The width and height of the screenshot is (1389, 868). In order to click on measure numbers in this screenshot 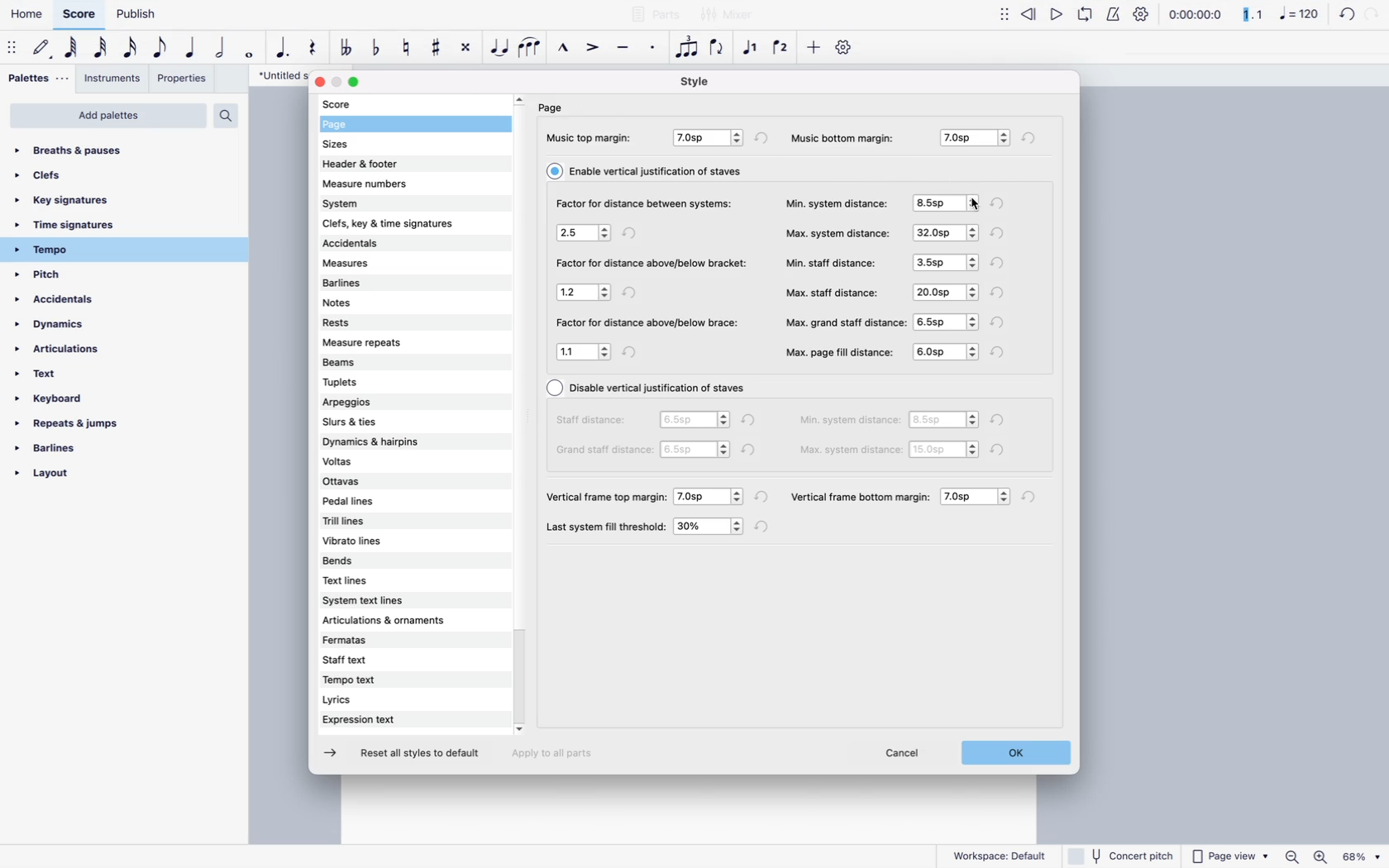, I will do `click(394, 182)`.